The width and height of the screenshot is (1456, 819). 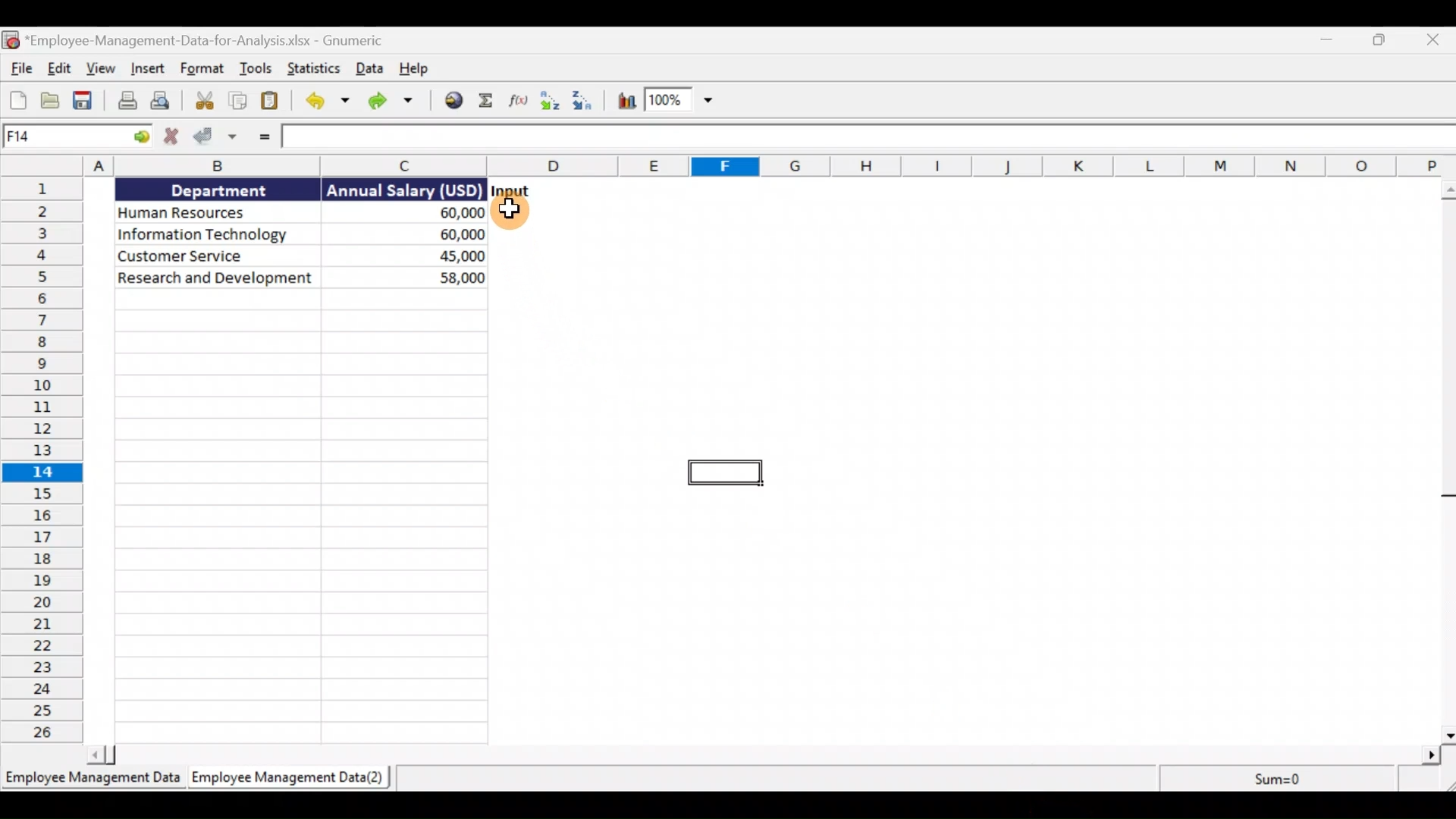 What do you see at coordinates (1321, 37) in the screenshot?
I see `Minimise` at bounding box center [1321, 37].